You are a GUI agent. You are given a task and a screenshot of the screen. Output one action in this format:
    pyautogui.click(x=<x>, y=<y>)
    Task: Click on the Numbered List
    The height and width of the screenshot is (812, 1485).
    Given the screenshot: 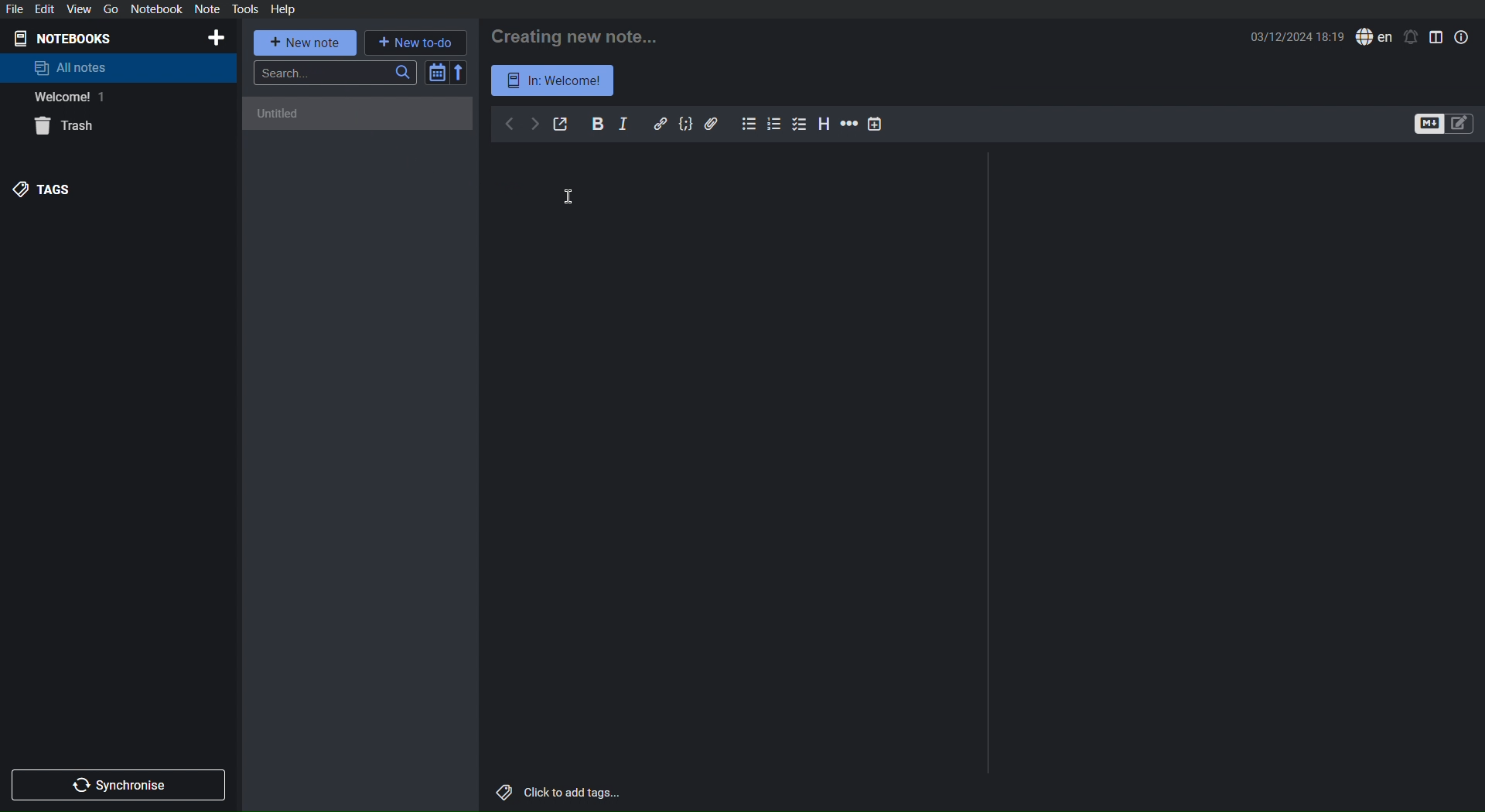 What is the action you would take?
    pyautogui.click(x=776, y=124)
    